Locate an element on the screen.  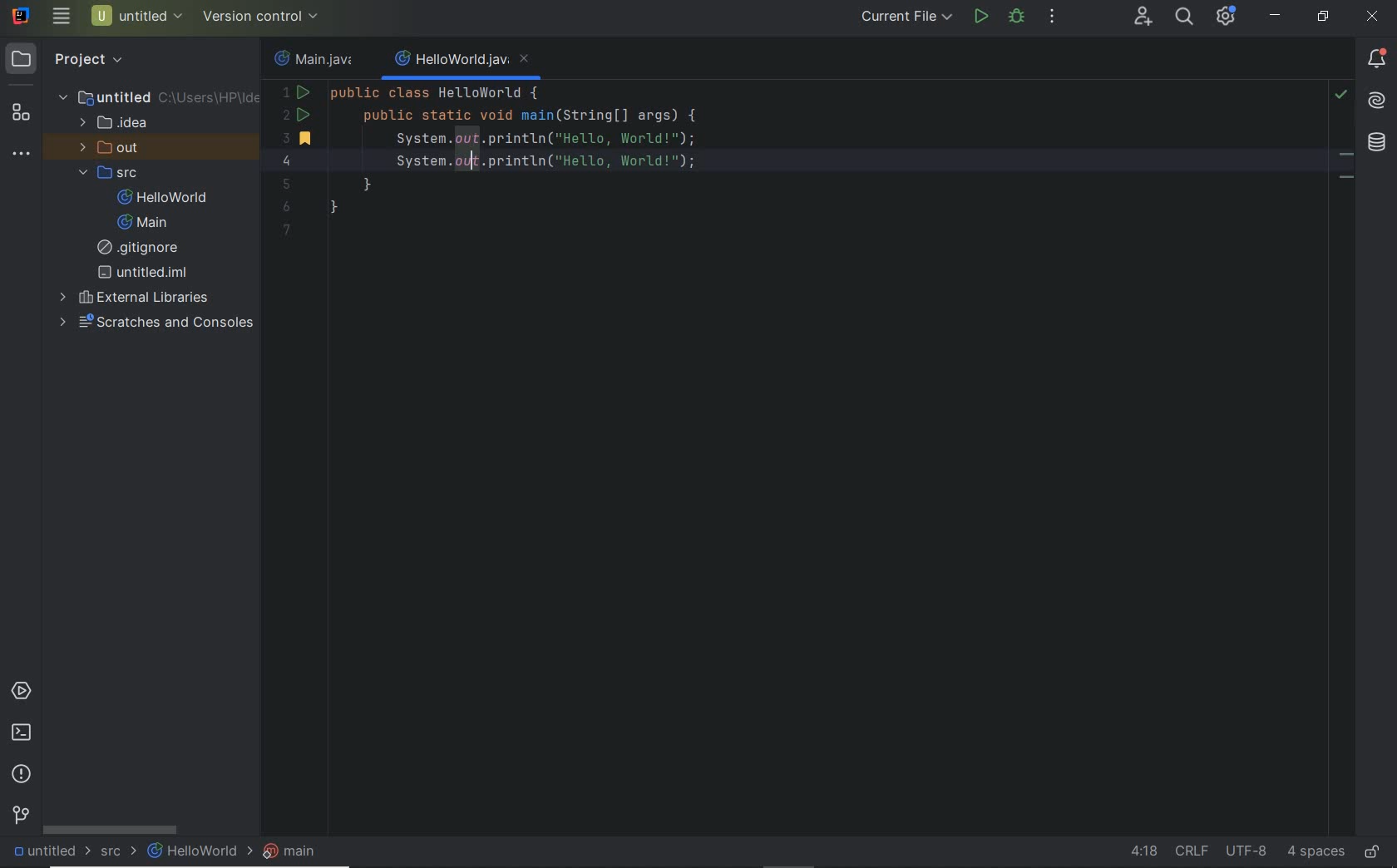
restore down is located at coordinates (1323, 18).